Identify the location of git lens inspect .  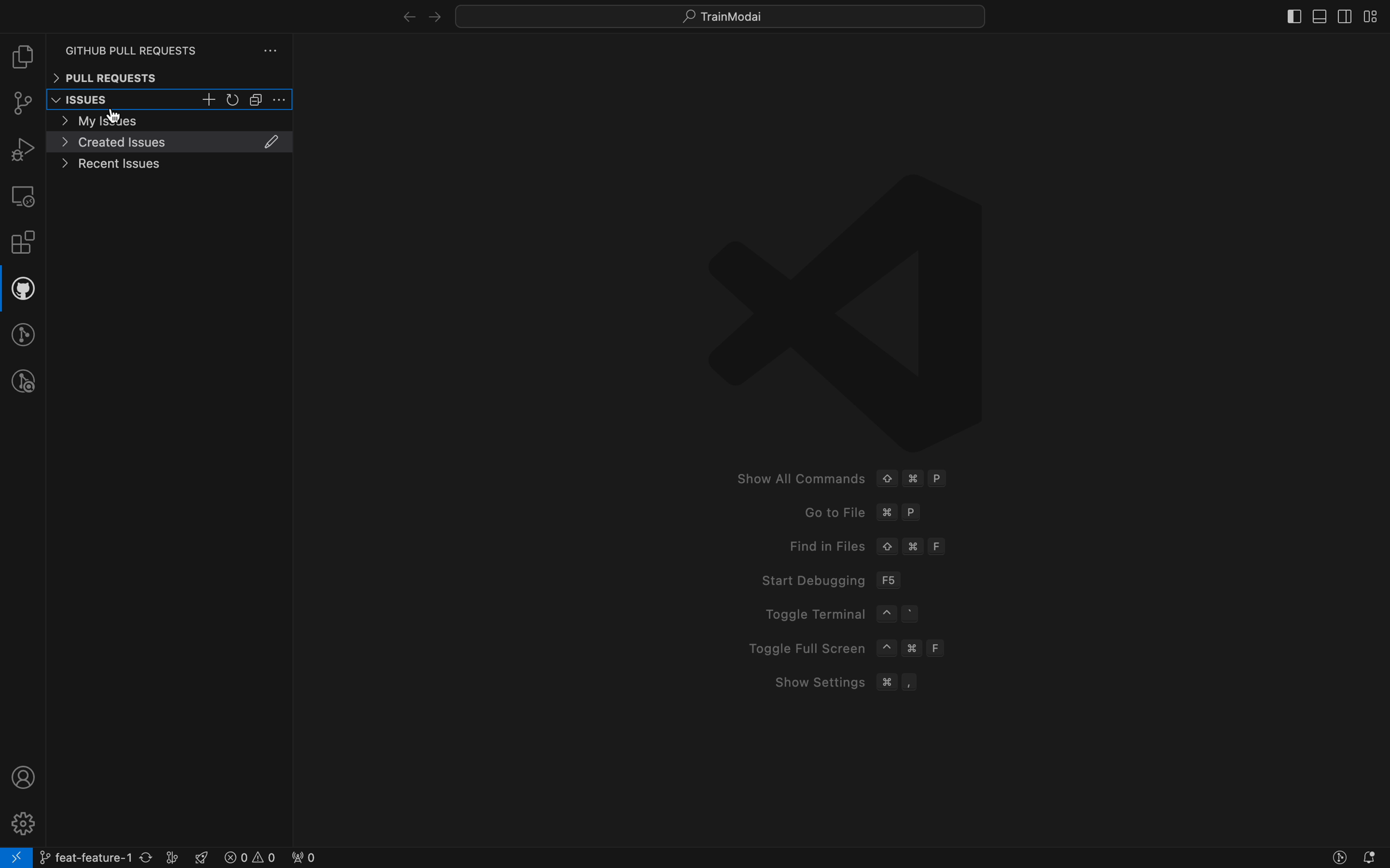
(24, 382).